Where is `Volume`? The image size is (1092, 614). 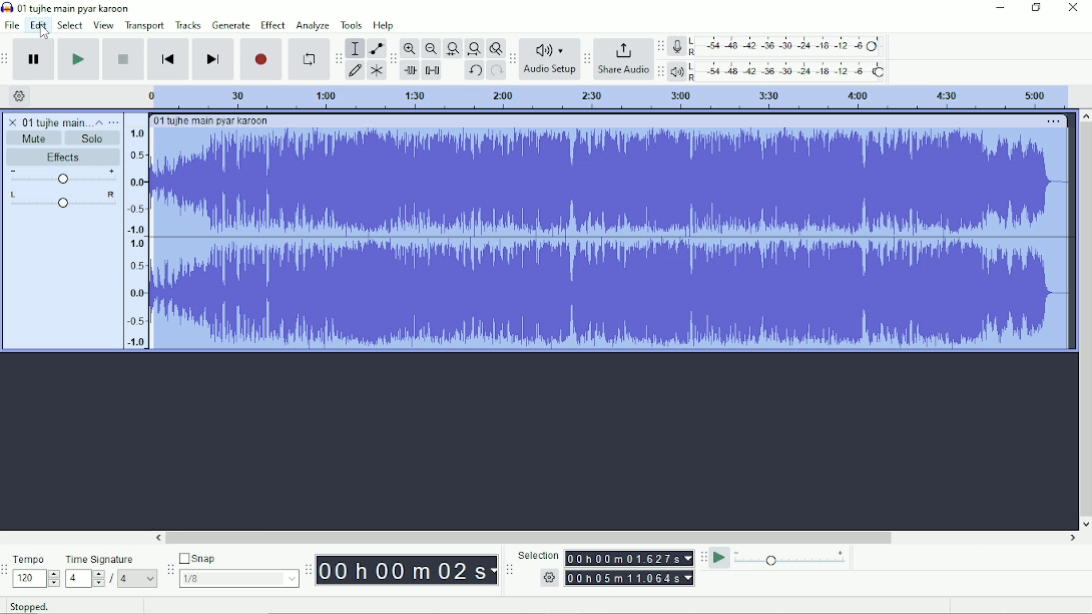
Volume is located at coordinates (63, 176).